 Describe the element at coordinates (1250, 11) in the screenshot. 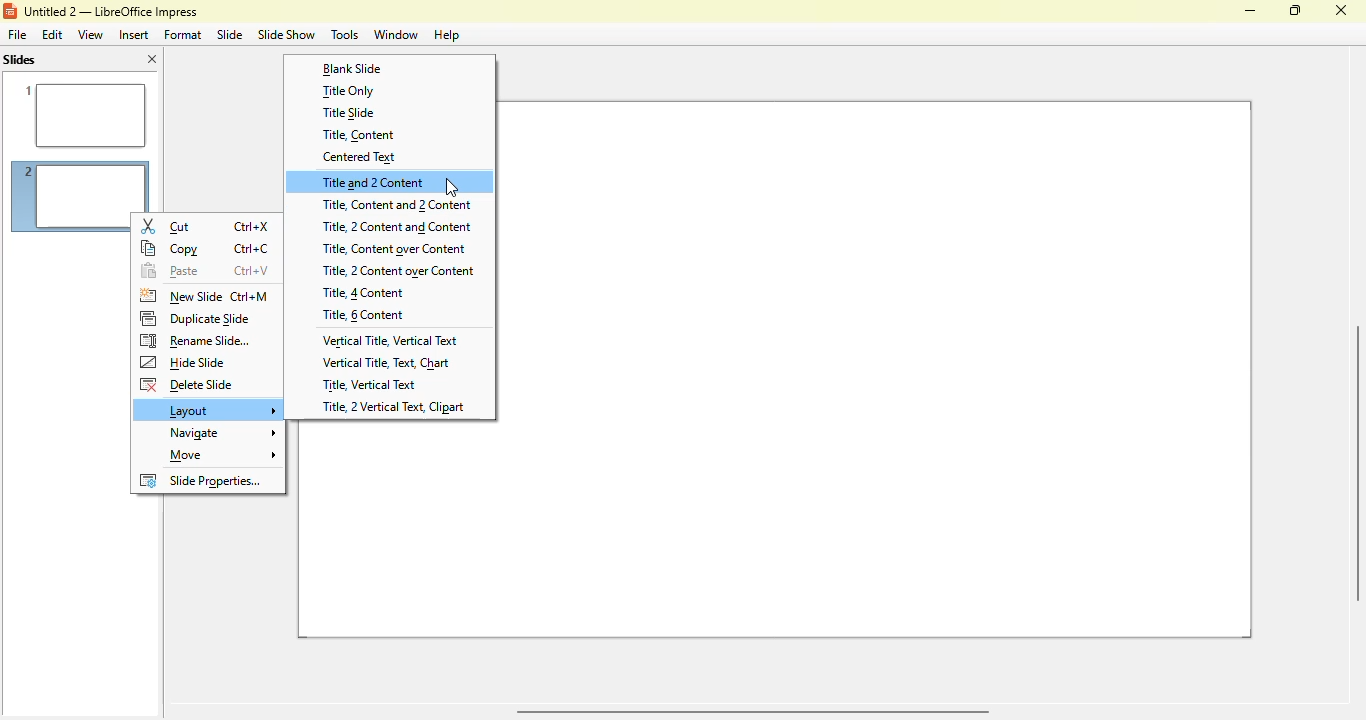

I see `minimize` at that location.